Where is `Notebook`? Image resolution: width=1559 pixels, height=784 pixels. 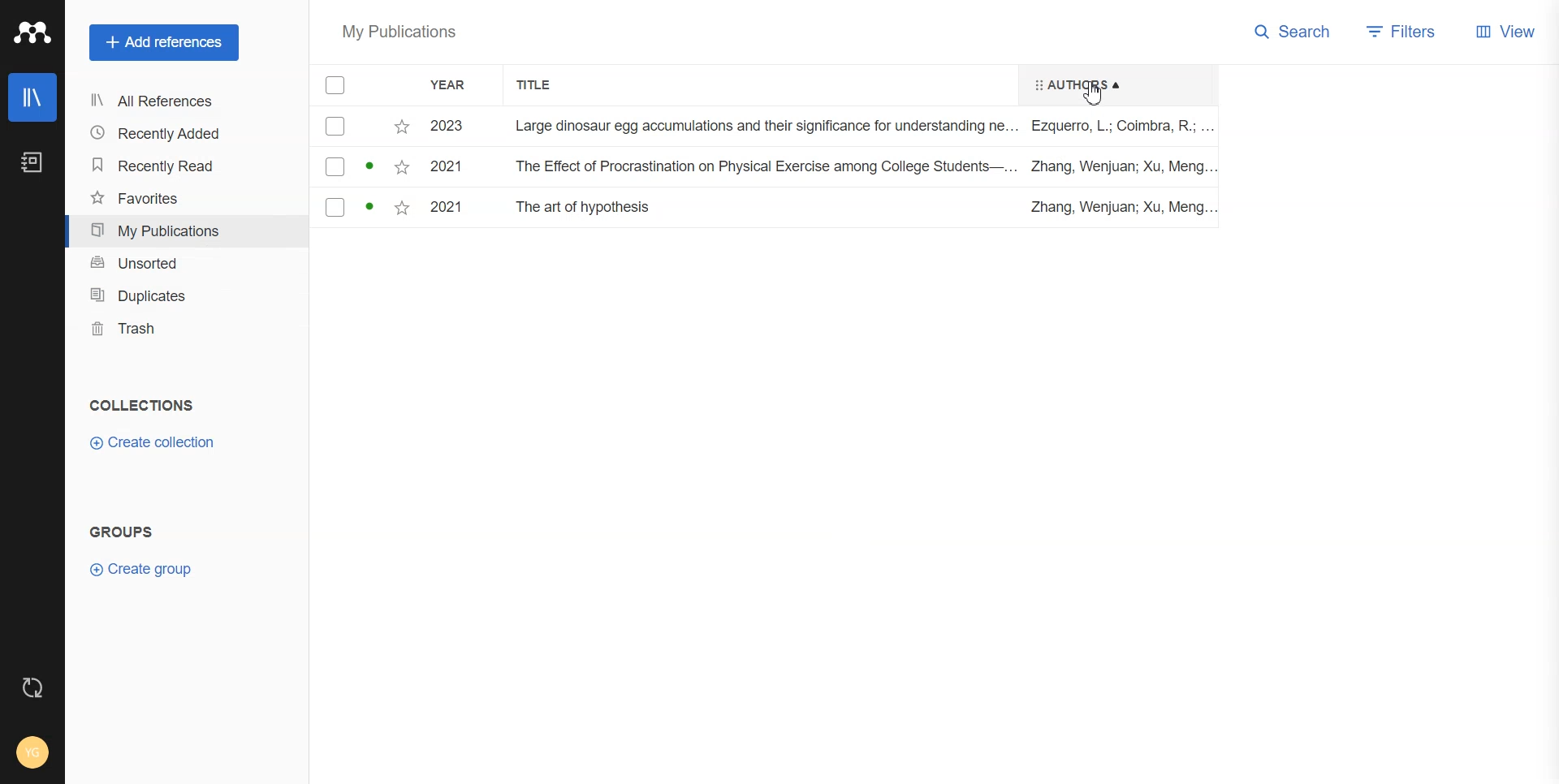 Notebook is located at coordinates (33, 162).